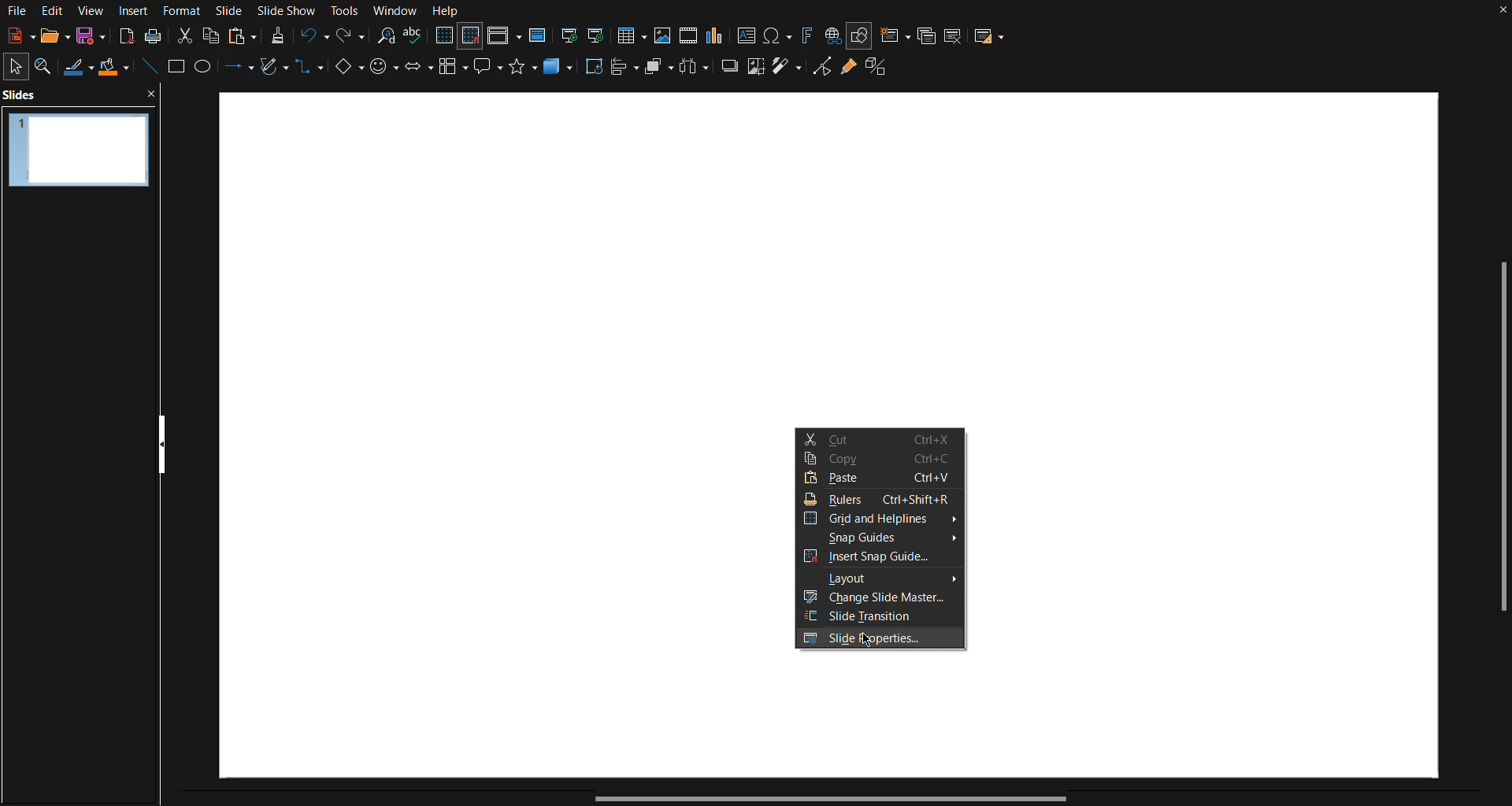  What do you see at coordinates (665, 34) in the screenshot?
I see `Insert Image` at bounding box center [665, 34].